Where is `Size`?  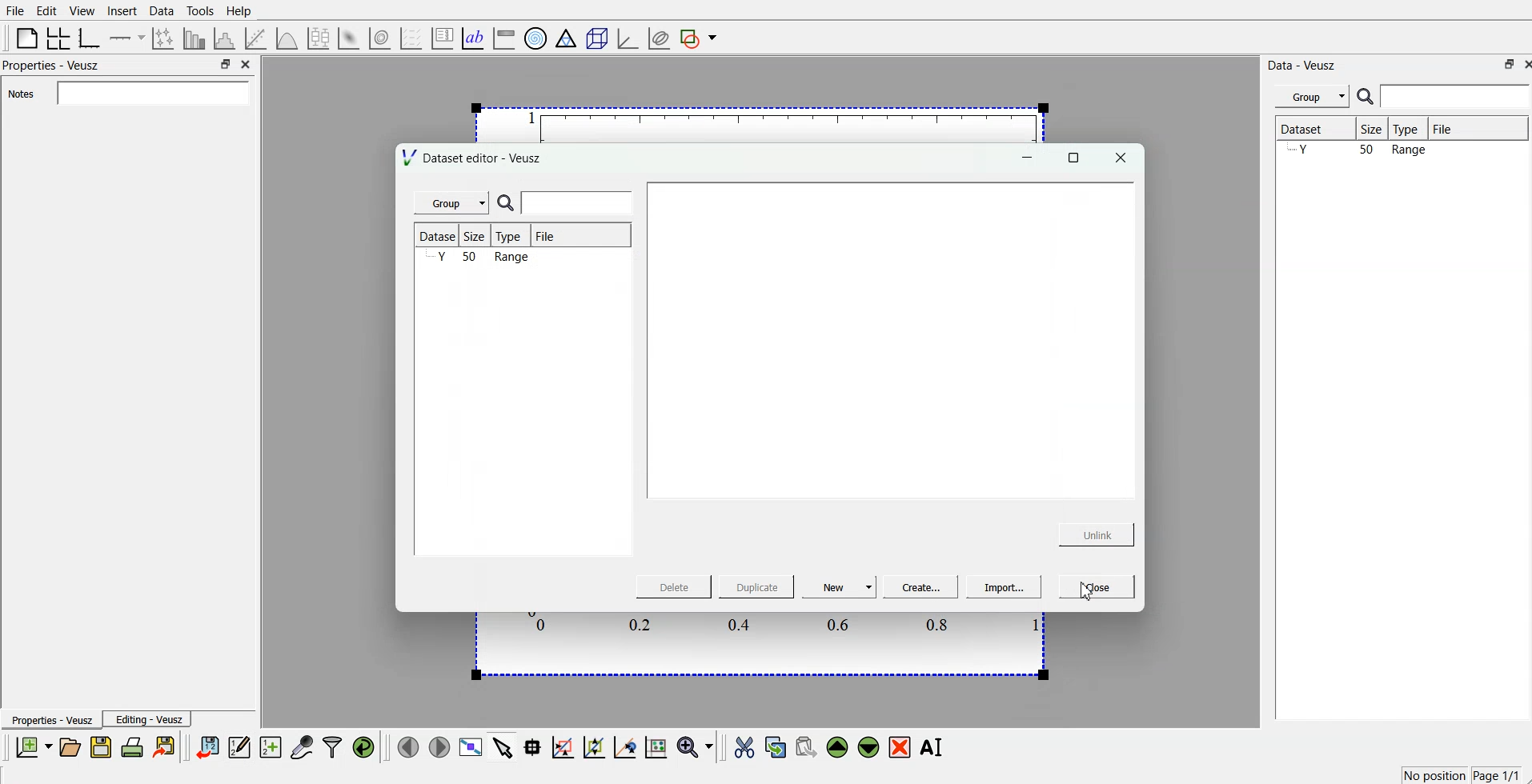
Size is located at coordinates (479, 235).